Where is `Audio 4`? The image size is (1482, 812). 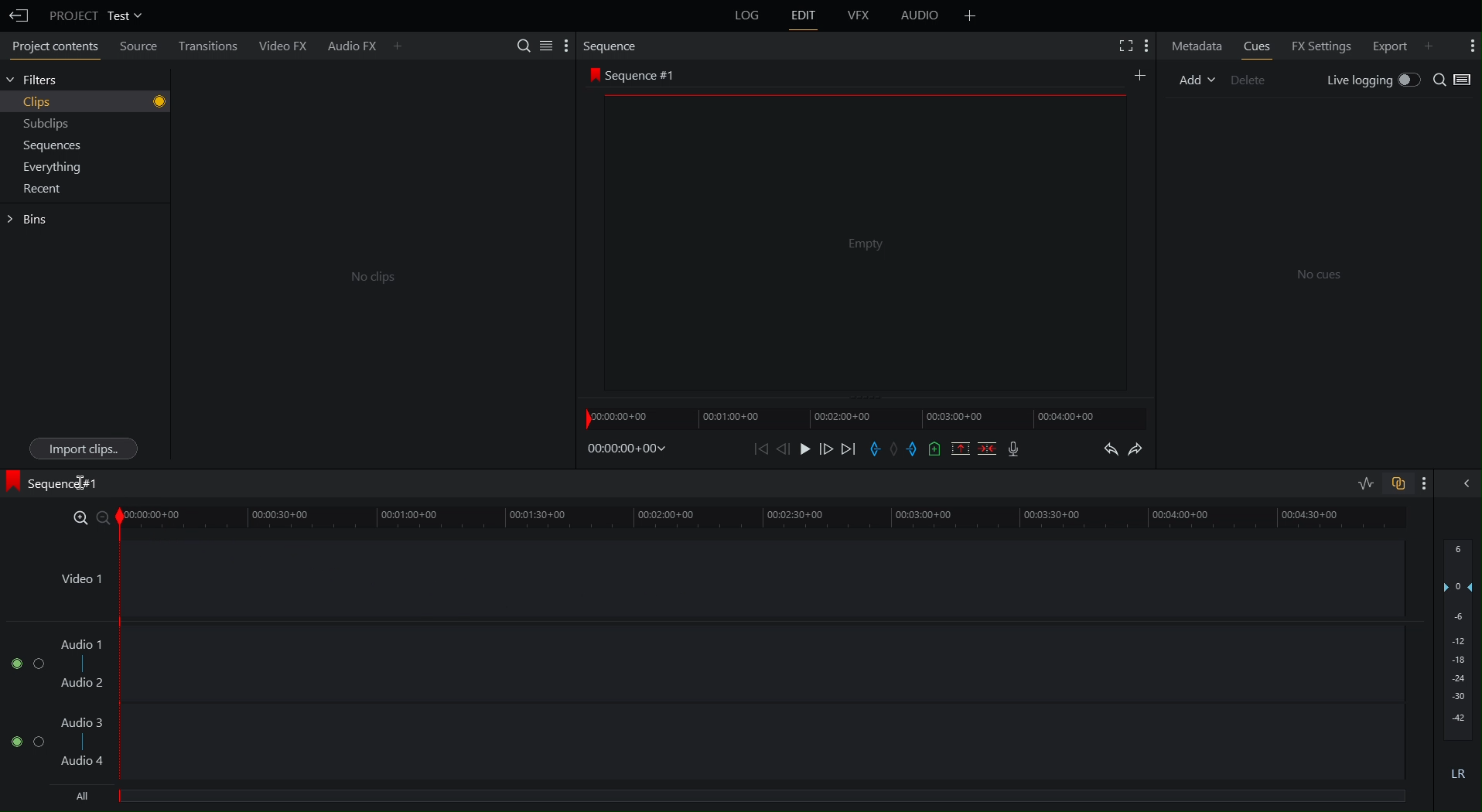 Audio 4 is located at coordinates (84, 759).